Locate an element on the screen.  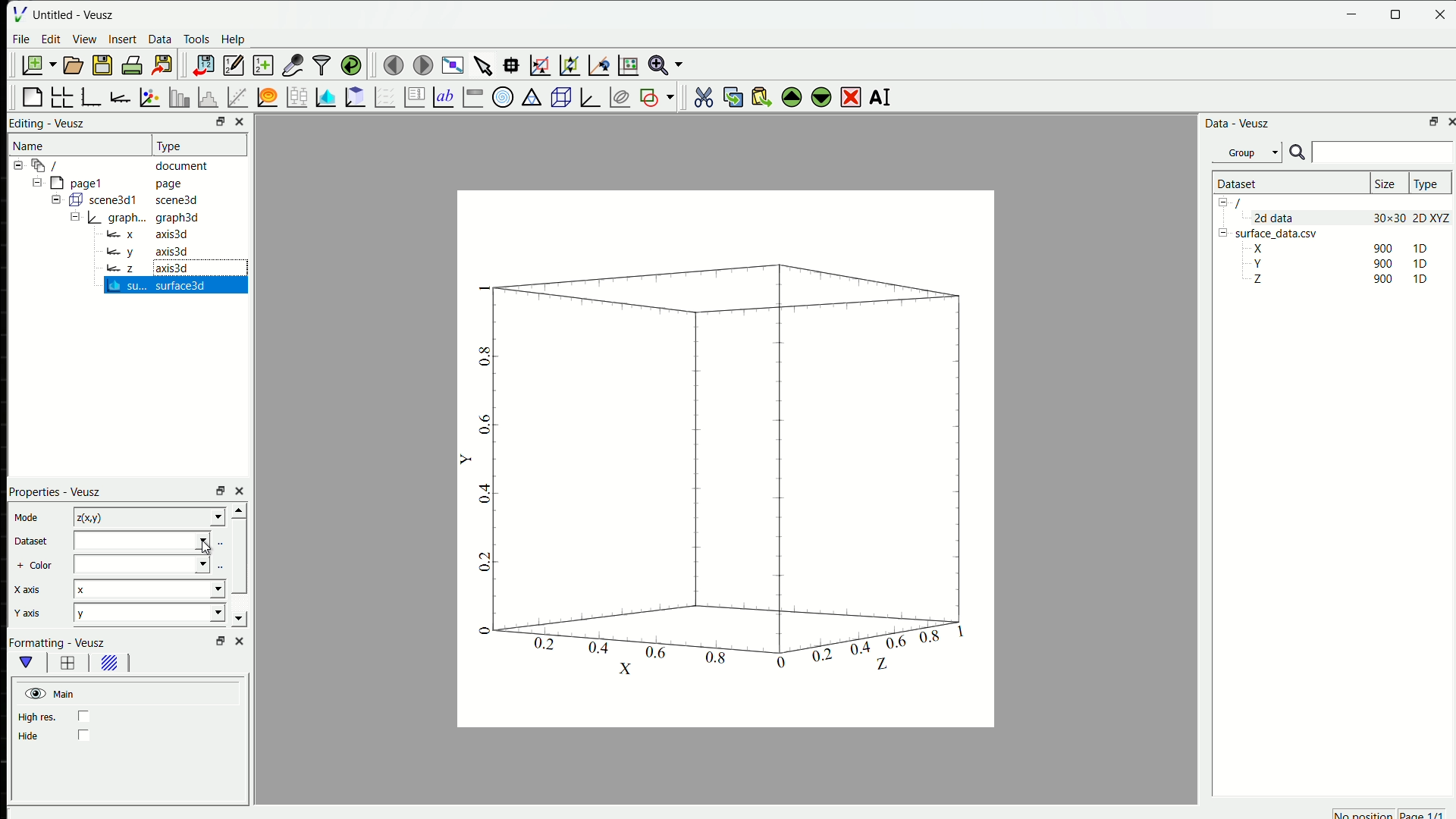
cut the selected widget is located at coordinates (704, 96).